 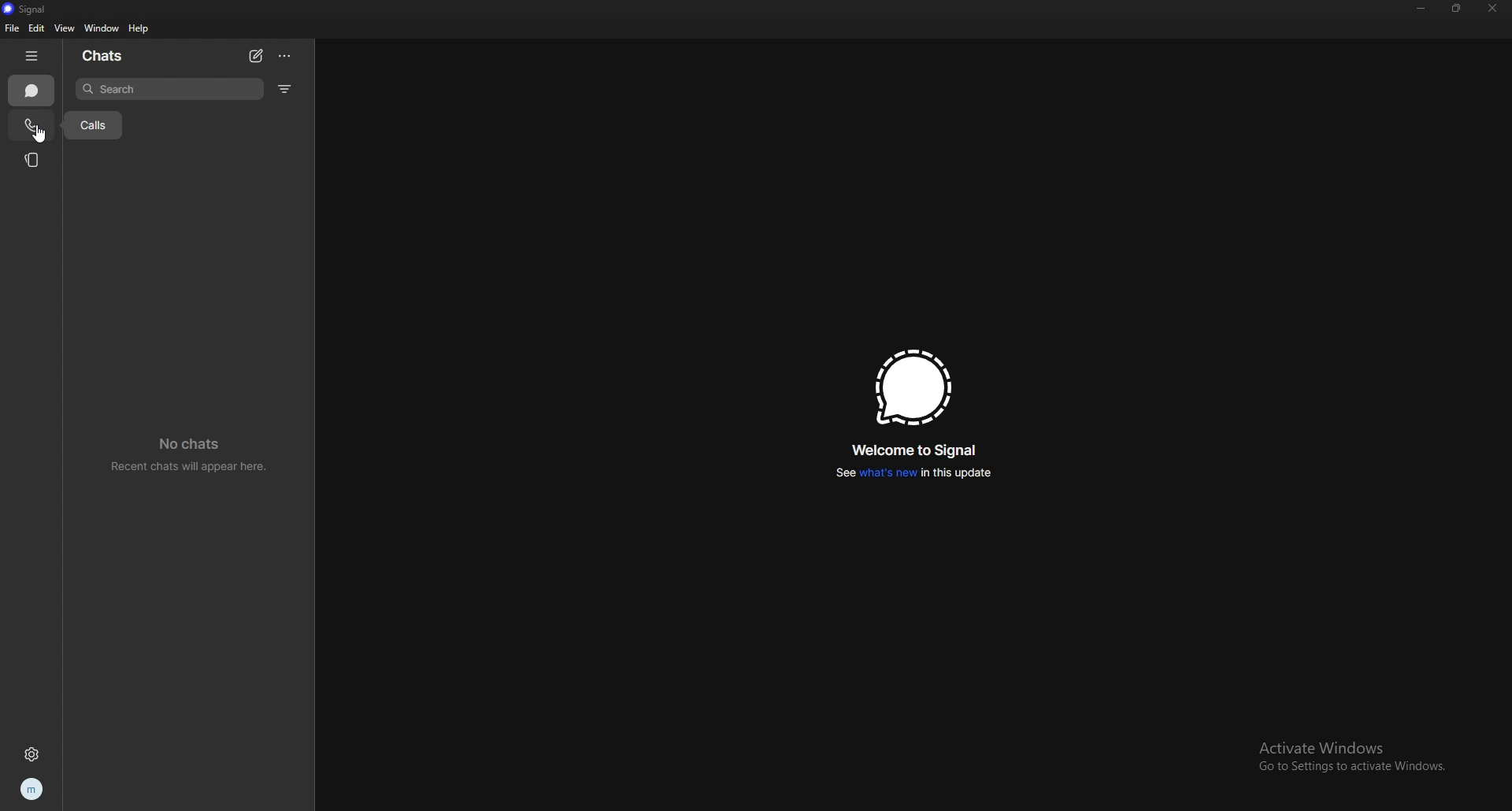 I want to click on cursor, so click(x=40, y=135).